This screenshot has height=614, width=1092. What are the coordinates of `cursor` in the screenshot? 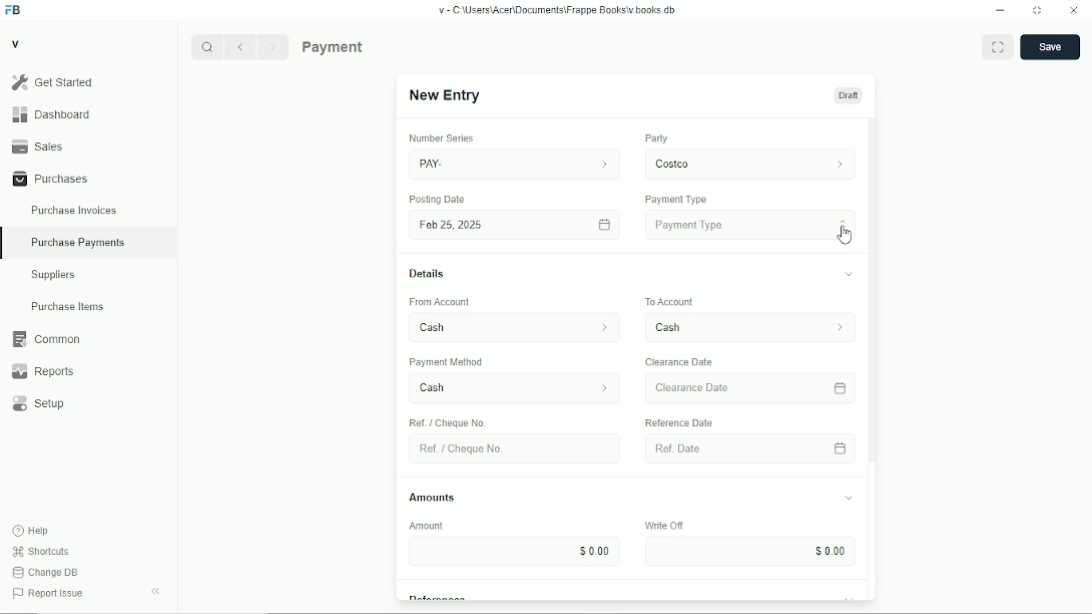 It's located at (845, 236).